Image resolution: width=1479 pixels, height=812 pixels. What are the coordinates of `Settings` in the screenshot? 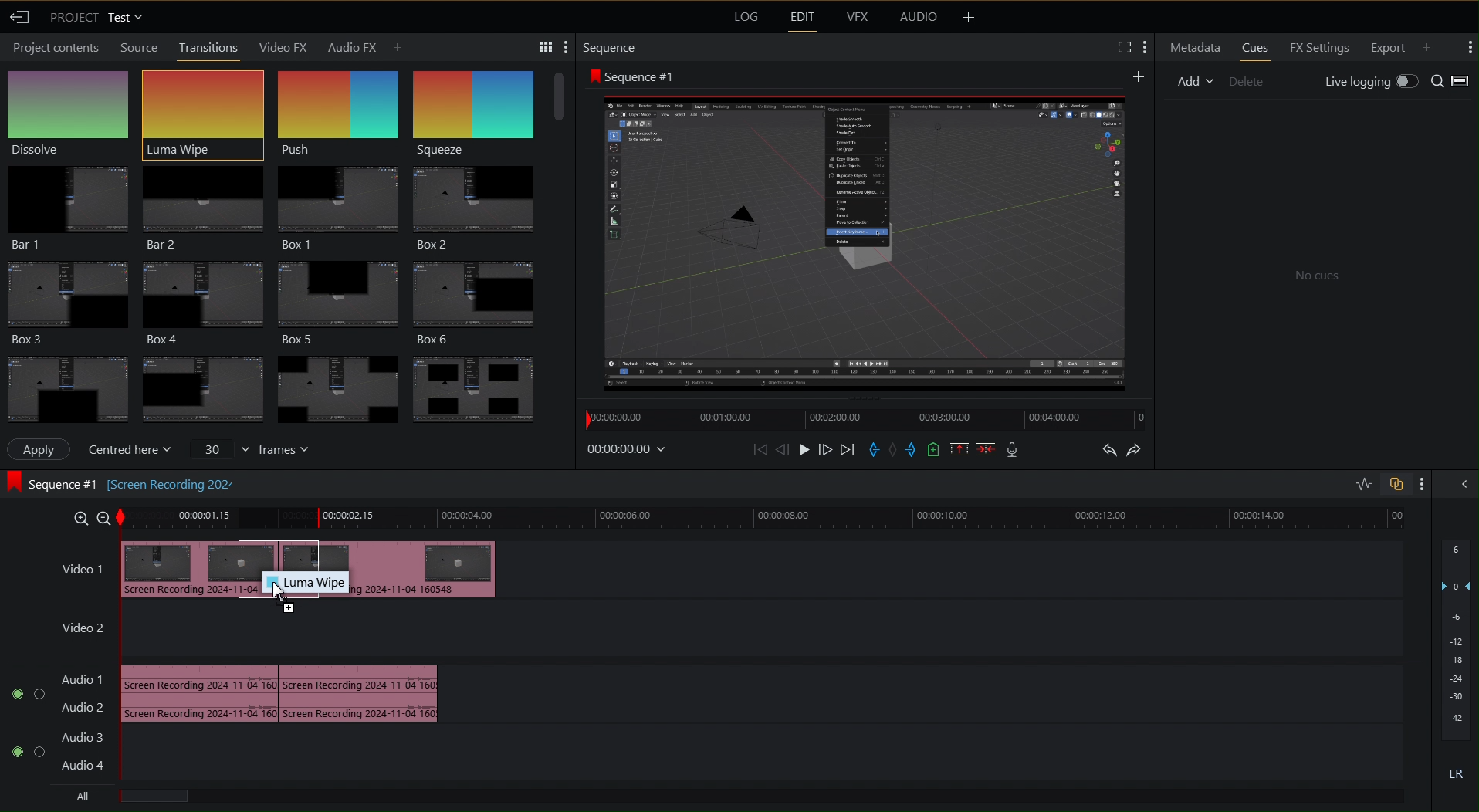 It's located at (540, 46).